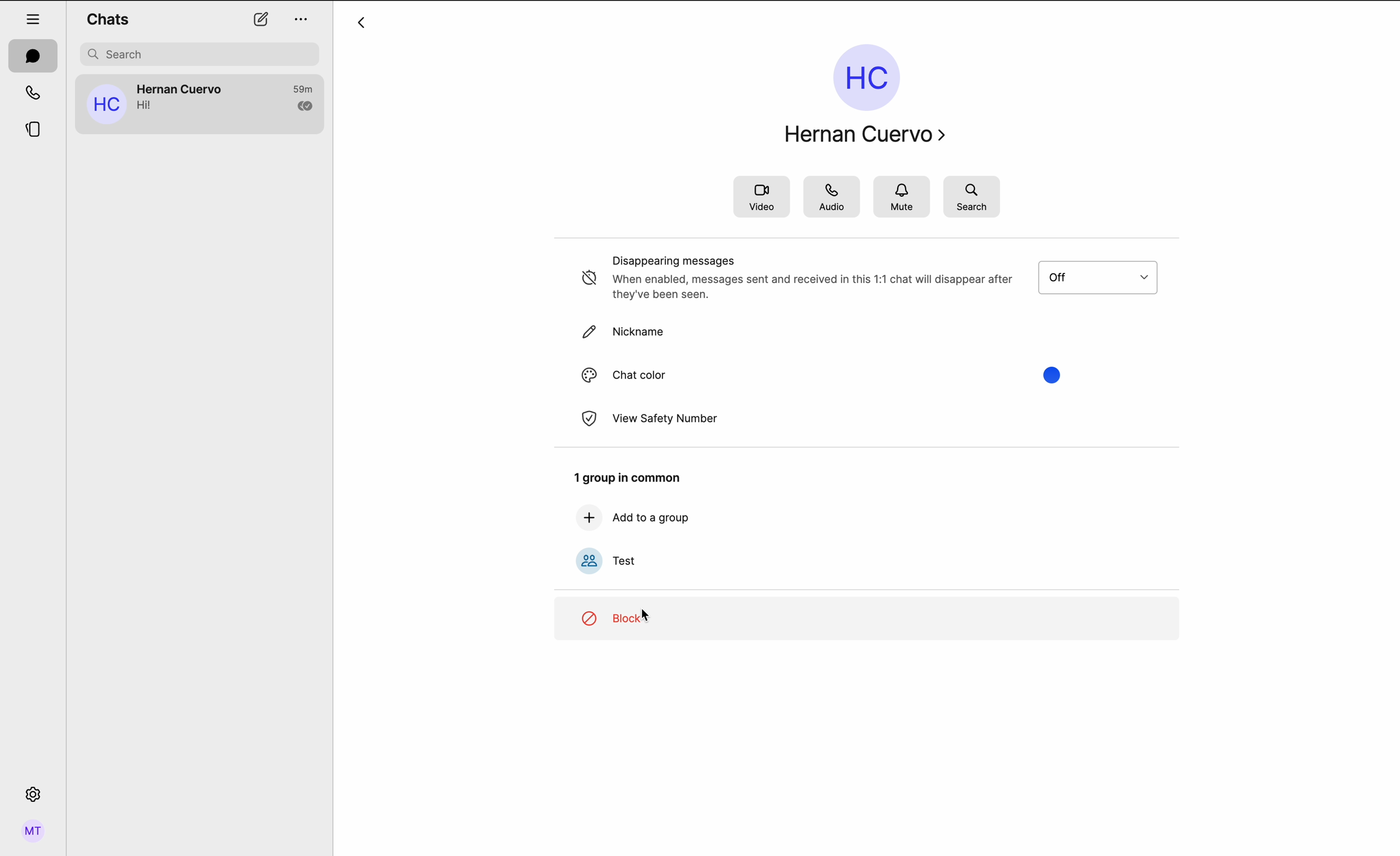  I want to click on profile, so click(35, 833).